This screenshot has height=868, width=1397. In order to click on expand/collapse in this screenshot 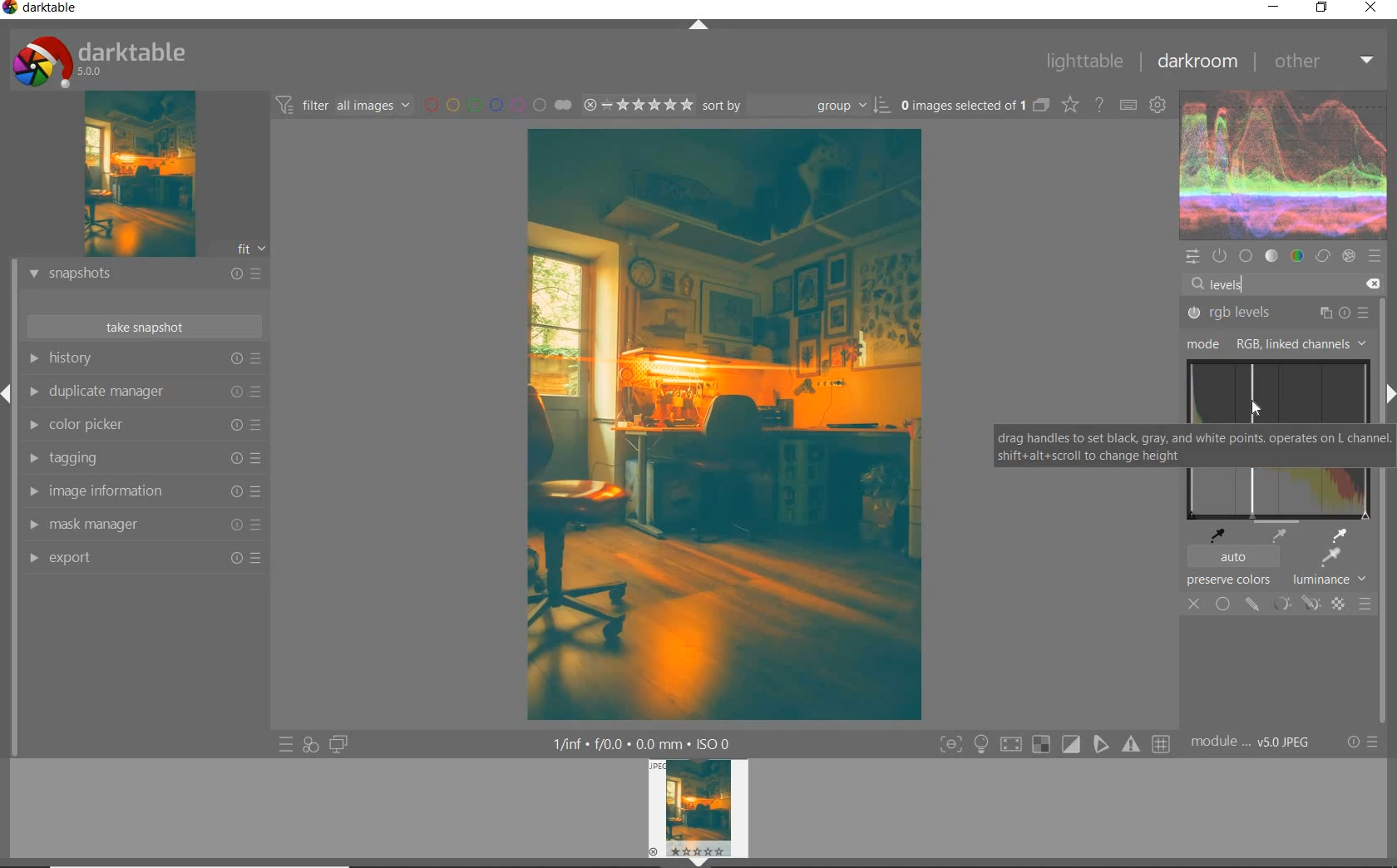, I will do `click(698, 26)`.